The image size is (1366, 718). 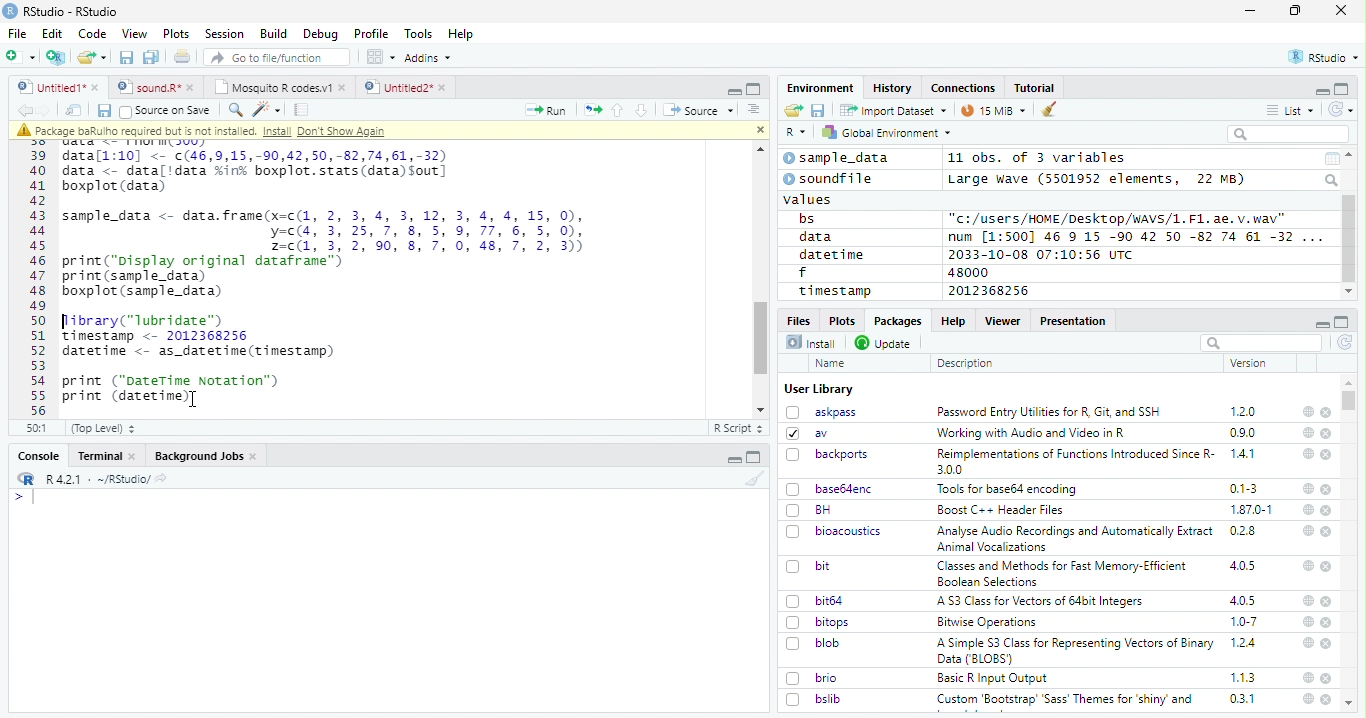 I want to click on num [1:500] 46 9 15 -90 42 50 -82 74 61 -32 ..., so click(x=1135, y=236).